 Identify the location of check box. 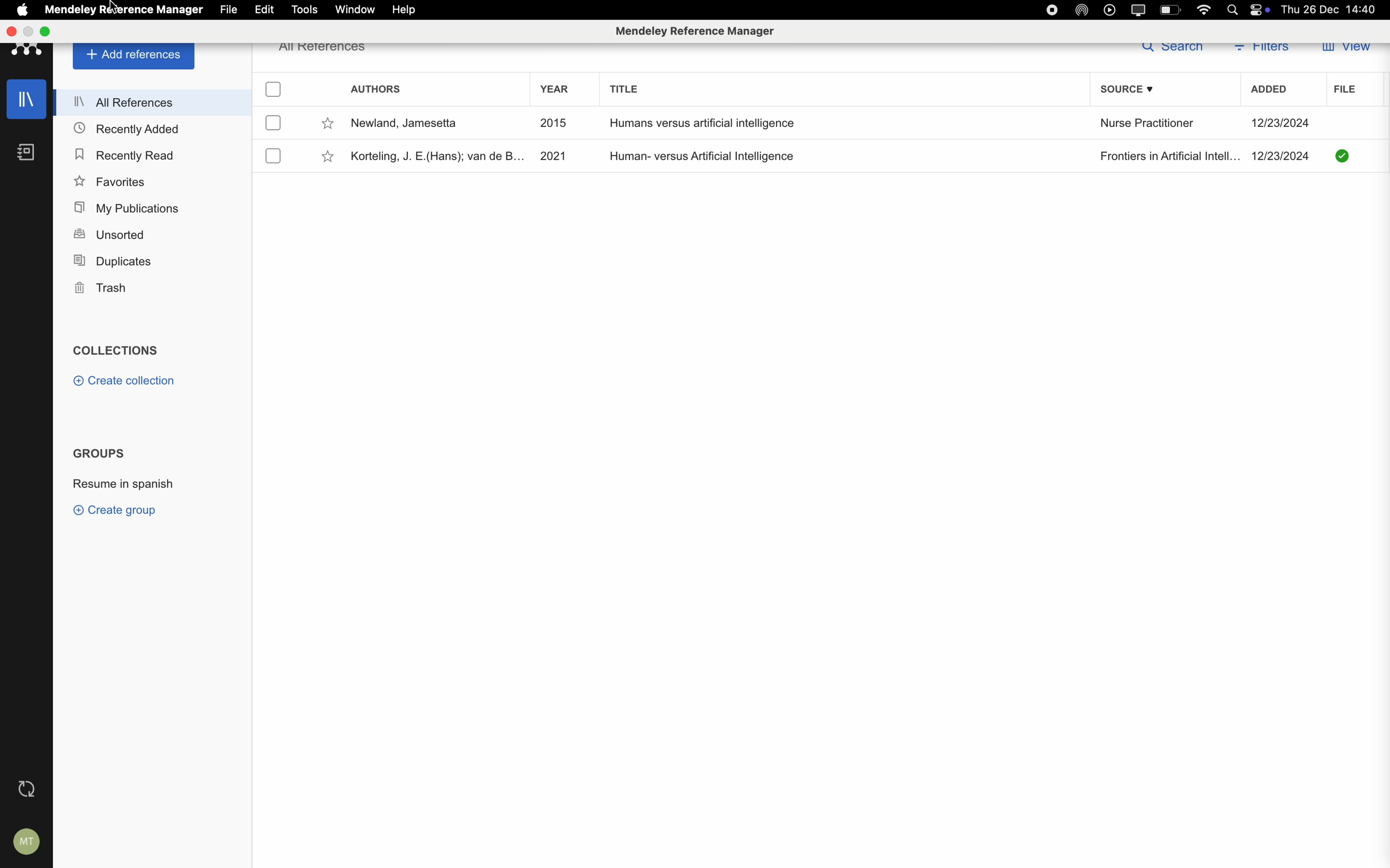
(274, 90).